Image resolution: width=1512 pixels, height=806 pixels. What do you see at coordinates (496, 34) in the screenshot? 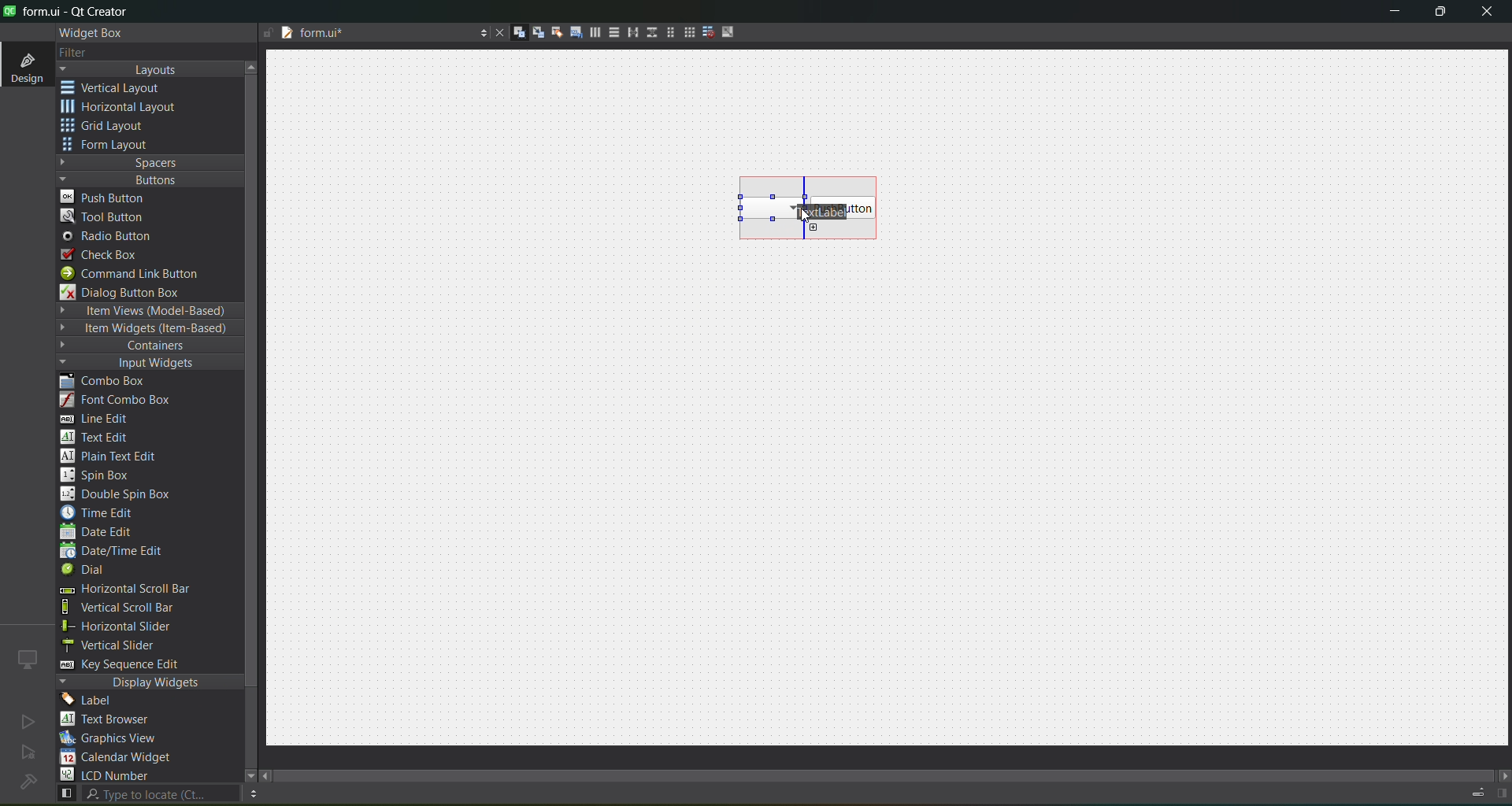
I see `close document` at bounding box center [496, 34].